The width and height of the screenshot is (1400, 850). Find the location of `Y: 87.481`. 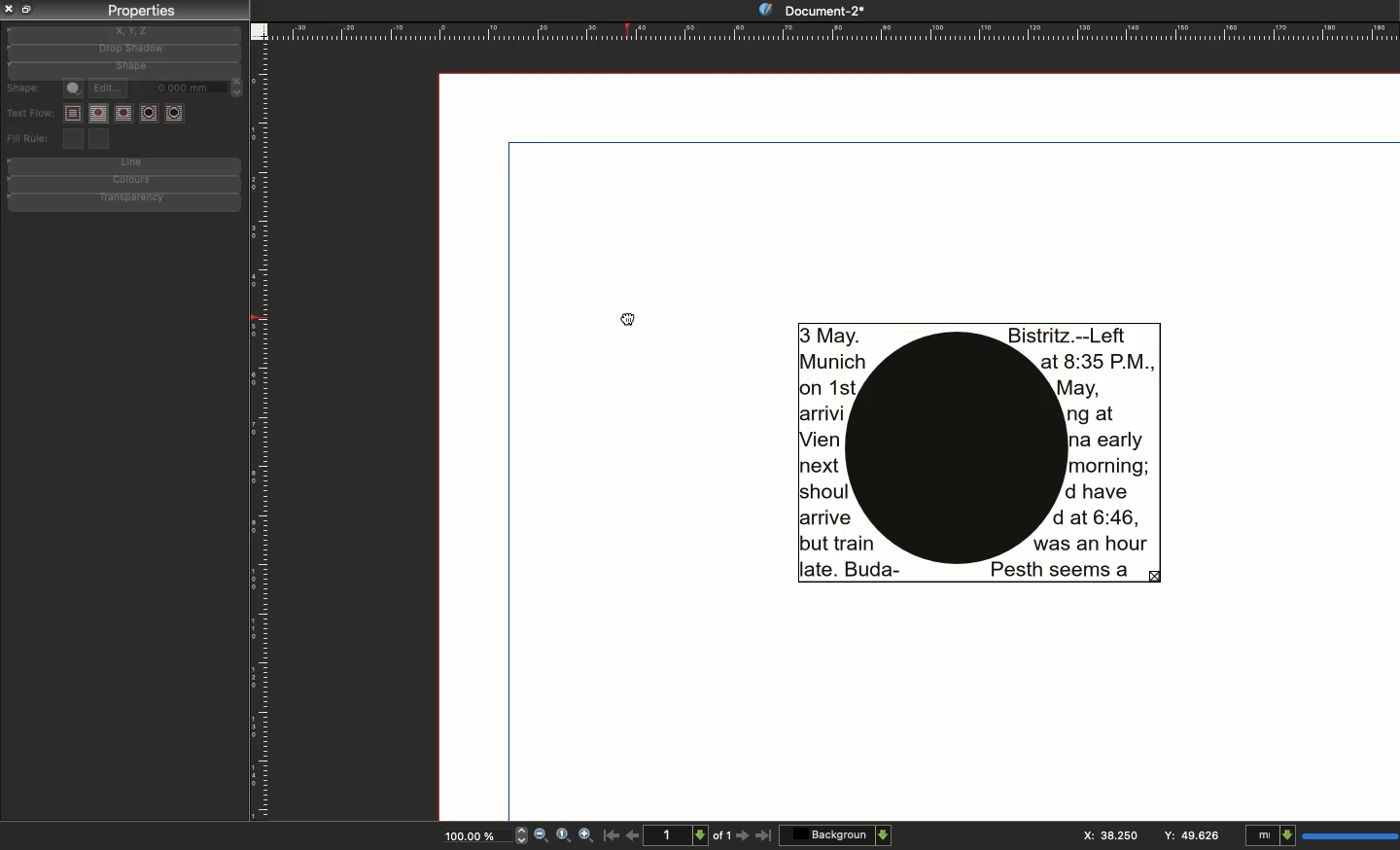

Y: 87.481 is located at coordinates (1189, 835).